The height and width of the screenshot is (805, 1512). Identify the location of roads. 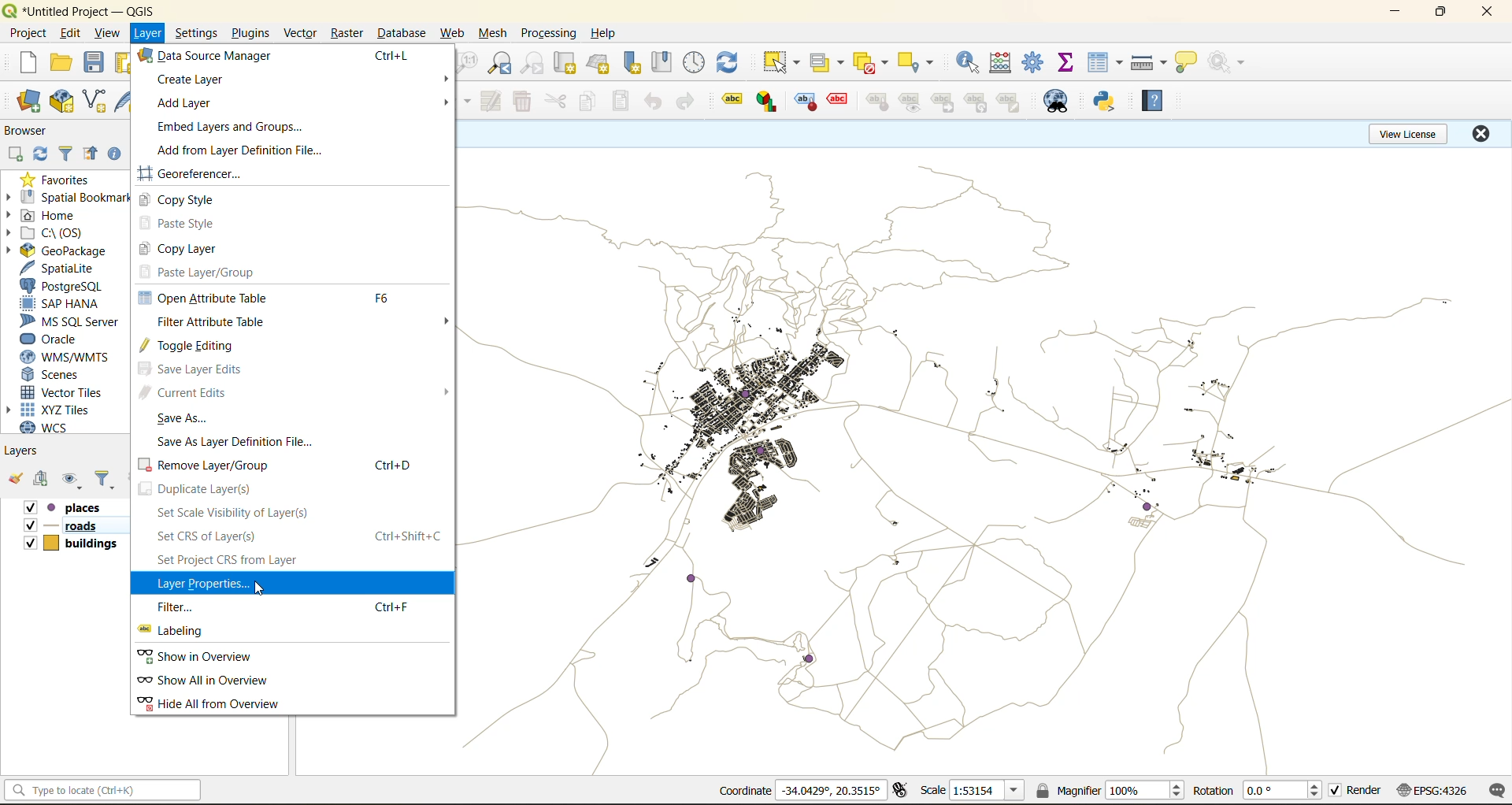
(61, 527).